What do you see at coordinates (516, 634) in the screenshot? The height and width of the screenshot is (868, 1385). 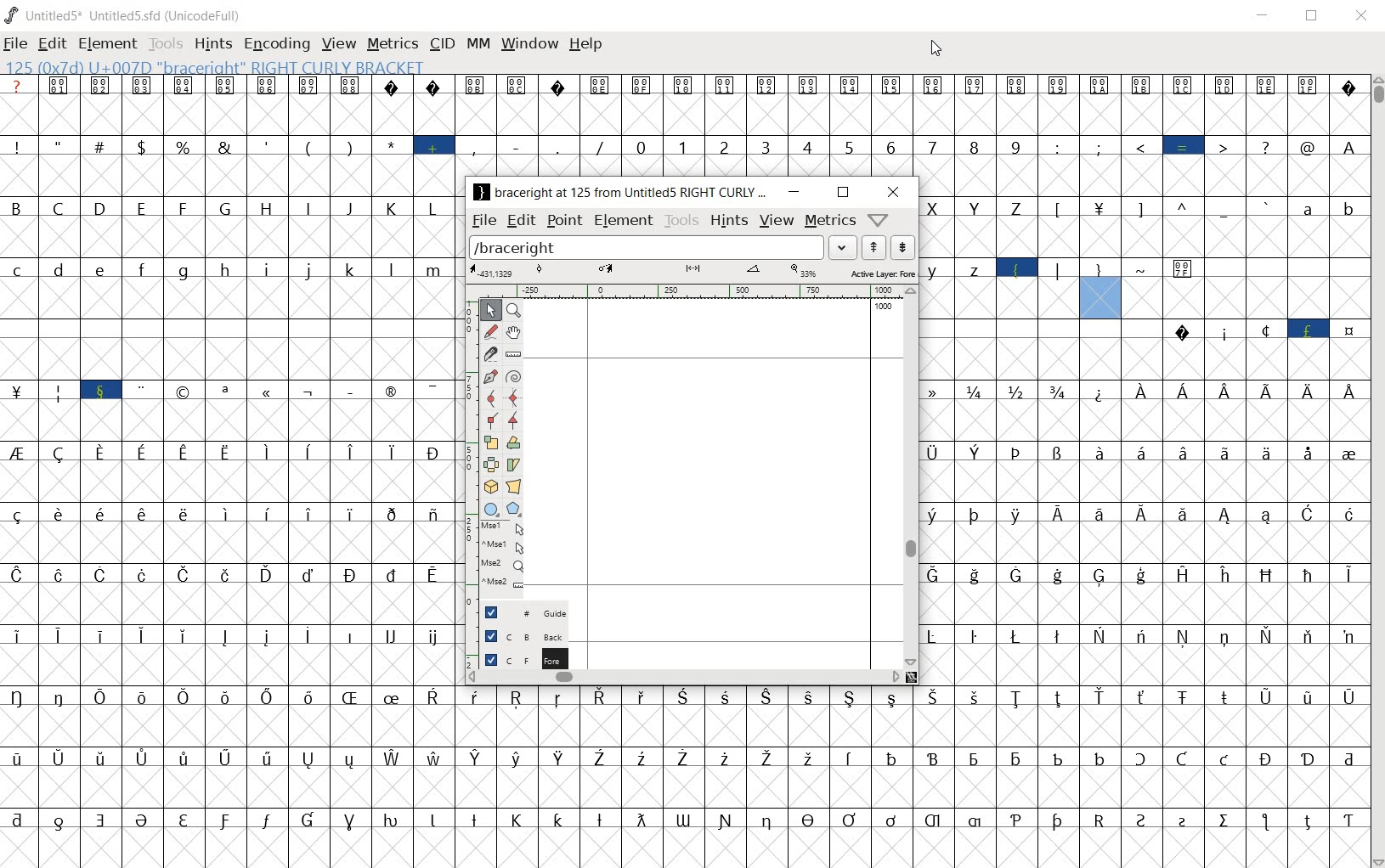 I see `background` at bounding box center [516, 634].